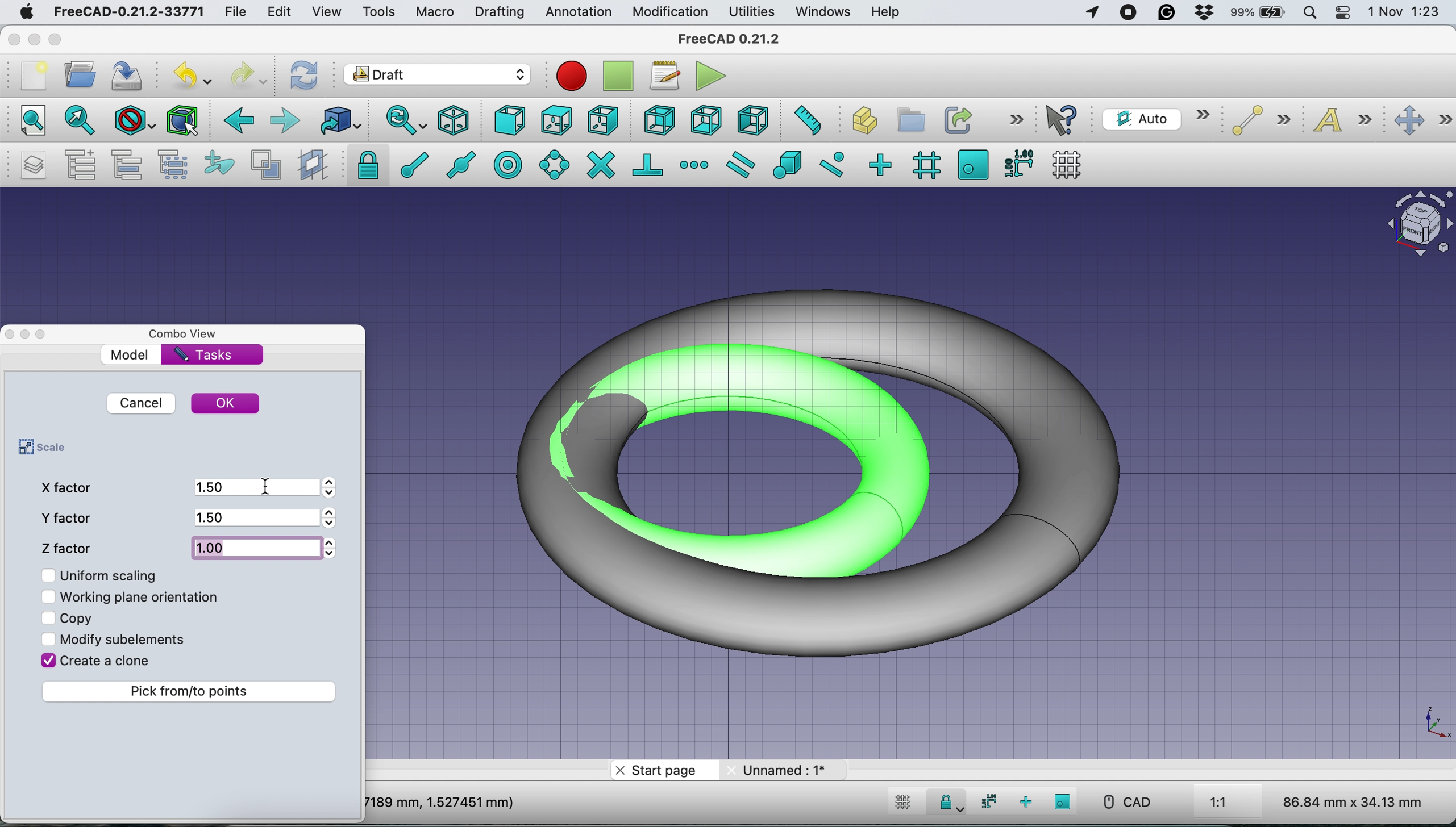 Image resolution: width=1456 pixels, height=827 pixels. Describe the element at coordinates (405, 120) in the screenshot. I see `sync view` at that location.